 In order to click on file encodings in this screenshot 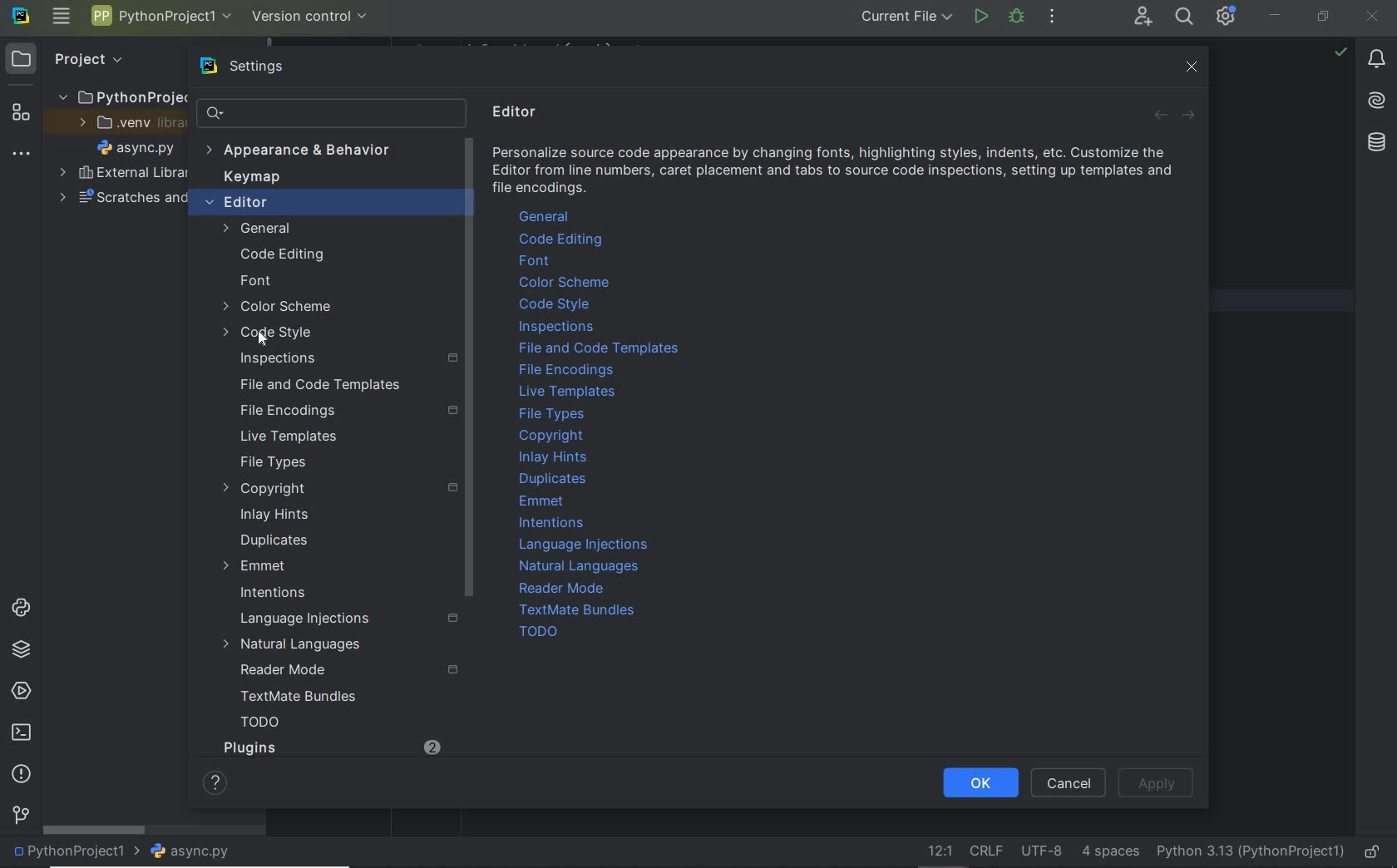, I will do `click(567, 372)`.